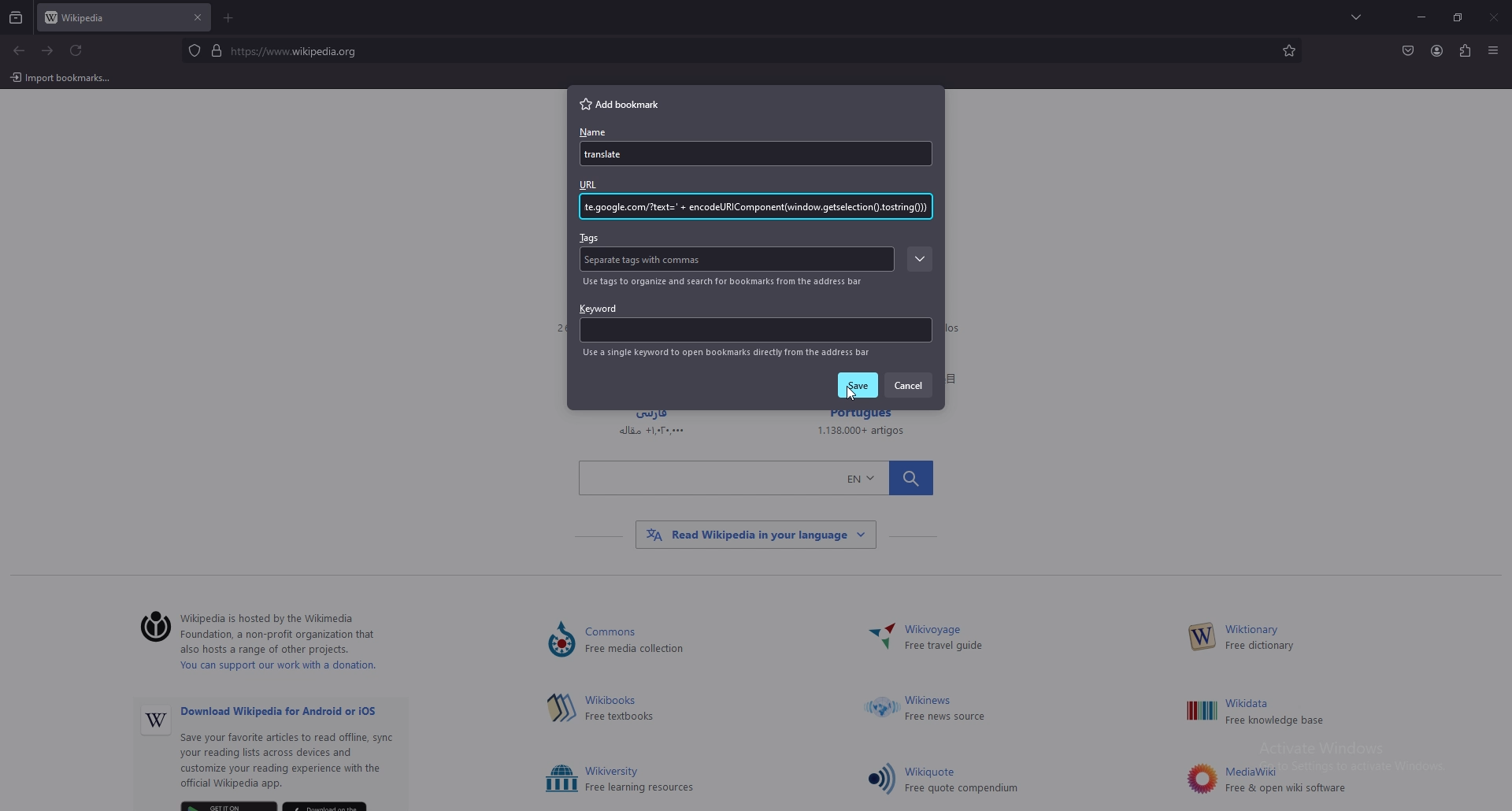 This screenshot has height=811, width=1512. Describe the element at coordinates (19, 52) in the screenshot. I see `backward` at that location.